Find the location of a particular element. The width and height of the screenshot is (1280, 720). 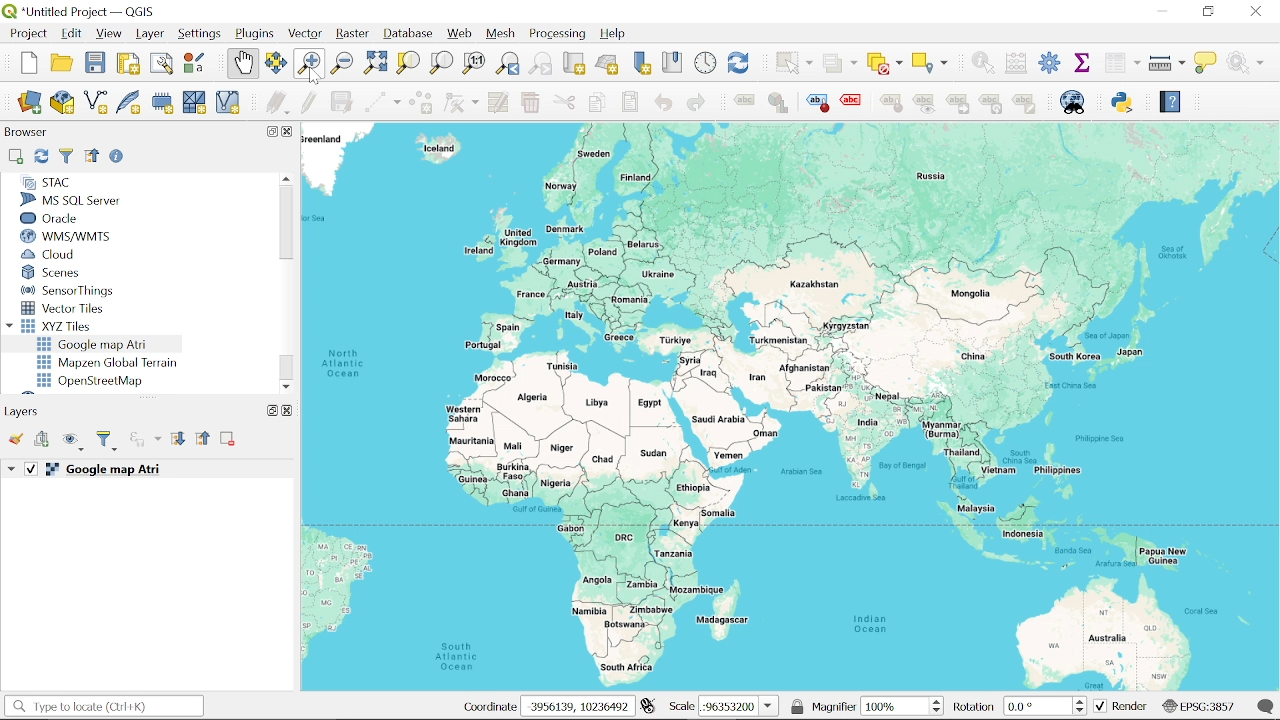

Increase is located at coordinates (1083, 699).